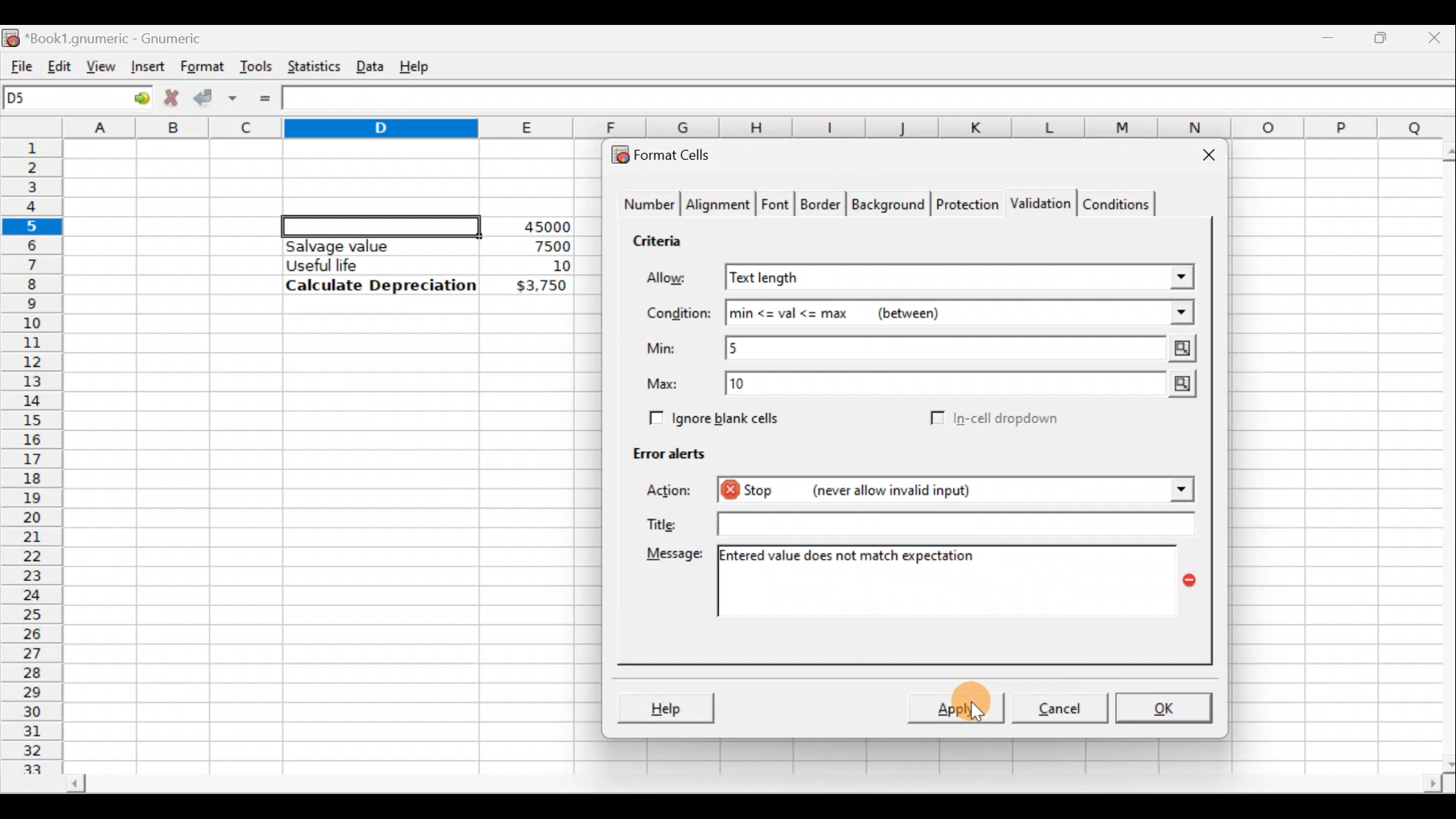 The width and height of the screenshot is (1456, 819). Describe the element at coordinates (124, 37) in the screenshot. I see `Book1.gnumeric - Gnumeric` at that location.